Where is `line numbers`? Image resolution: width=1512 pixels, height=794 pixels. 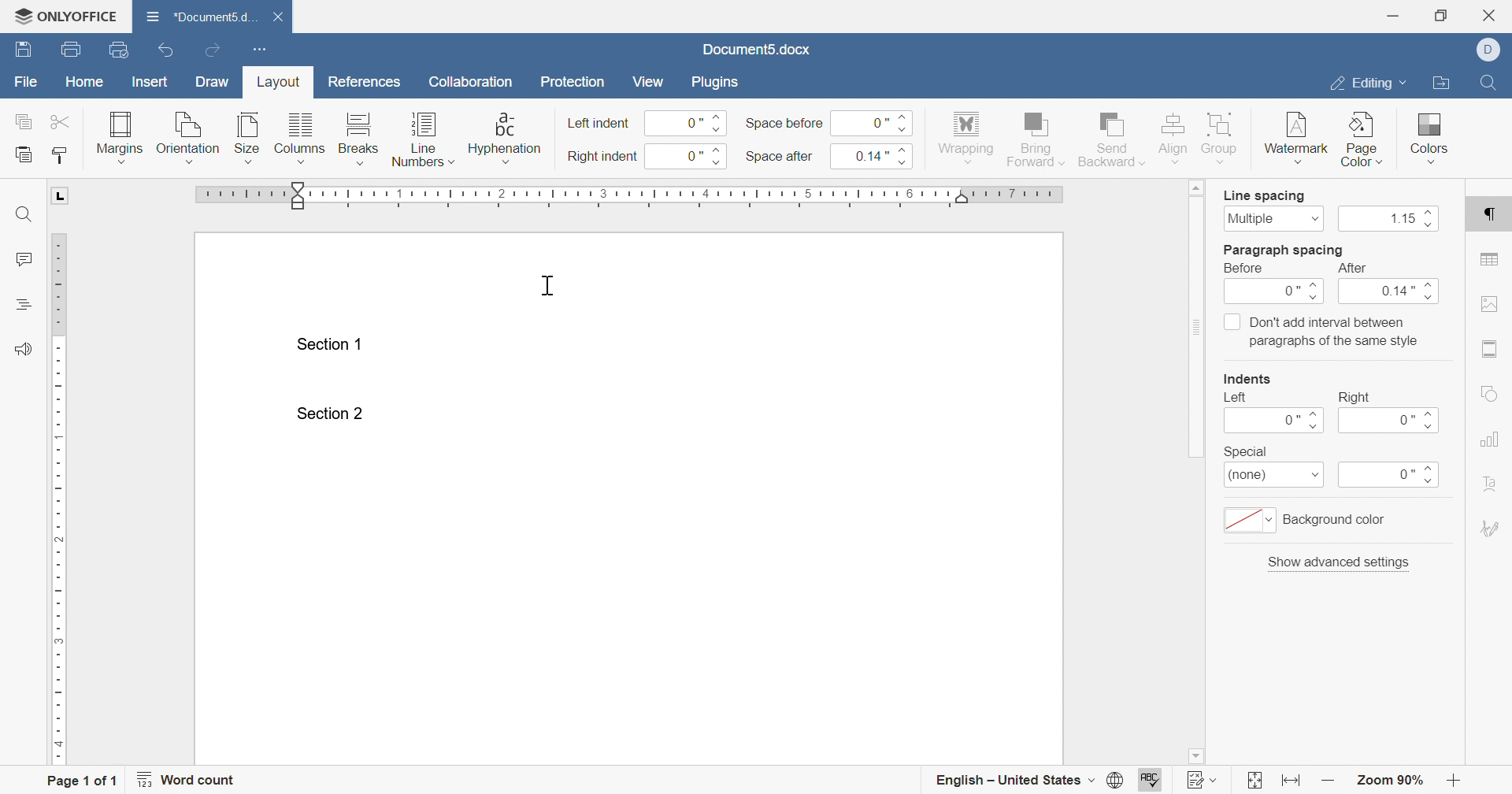 line numbers is located at coordinates (423, 139).